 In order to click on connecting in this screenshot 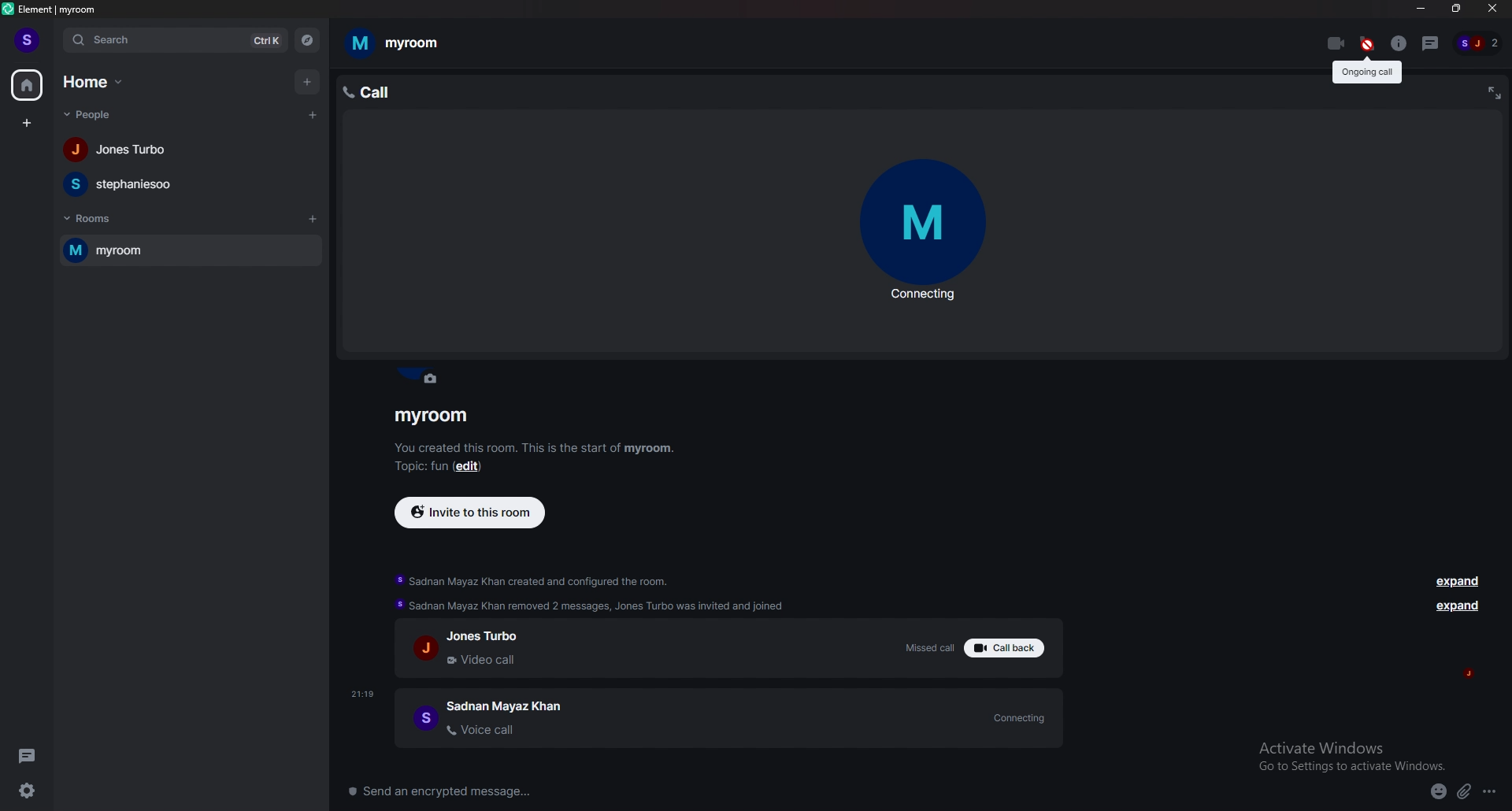, I will do `click(923, 232)`.